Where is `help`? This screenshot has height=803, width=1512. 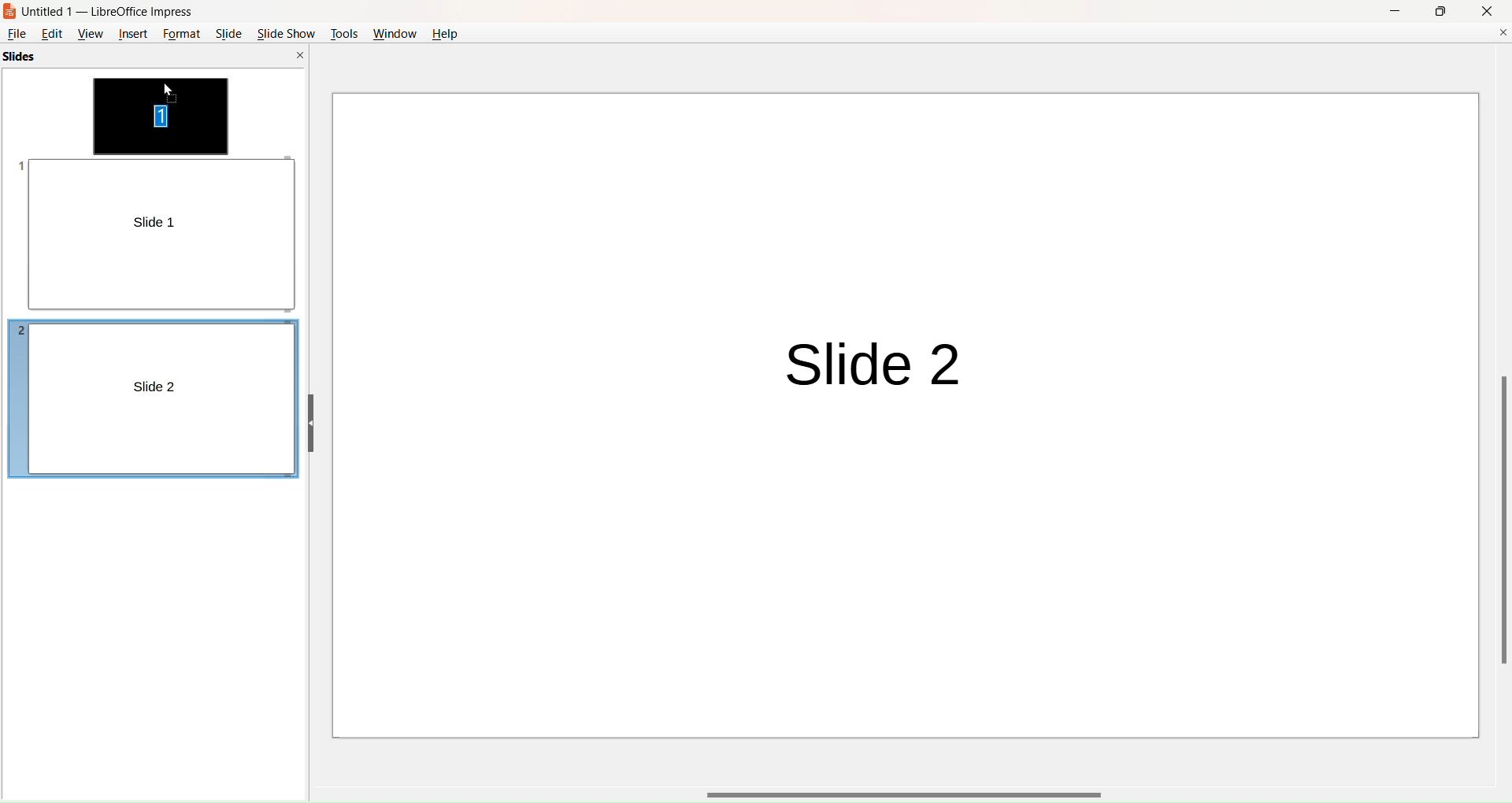
help is located at coordinates (447, 33).